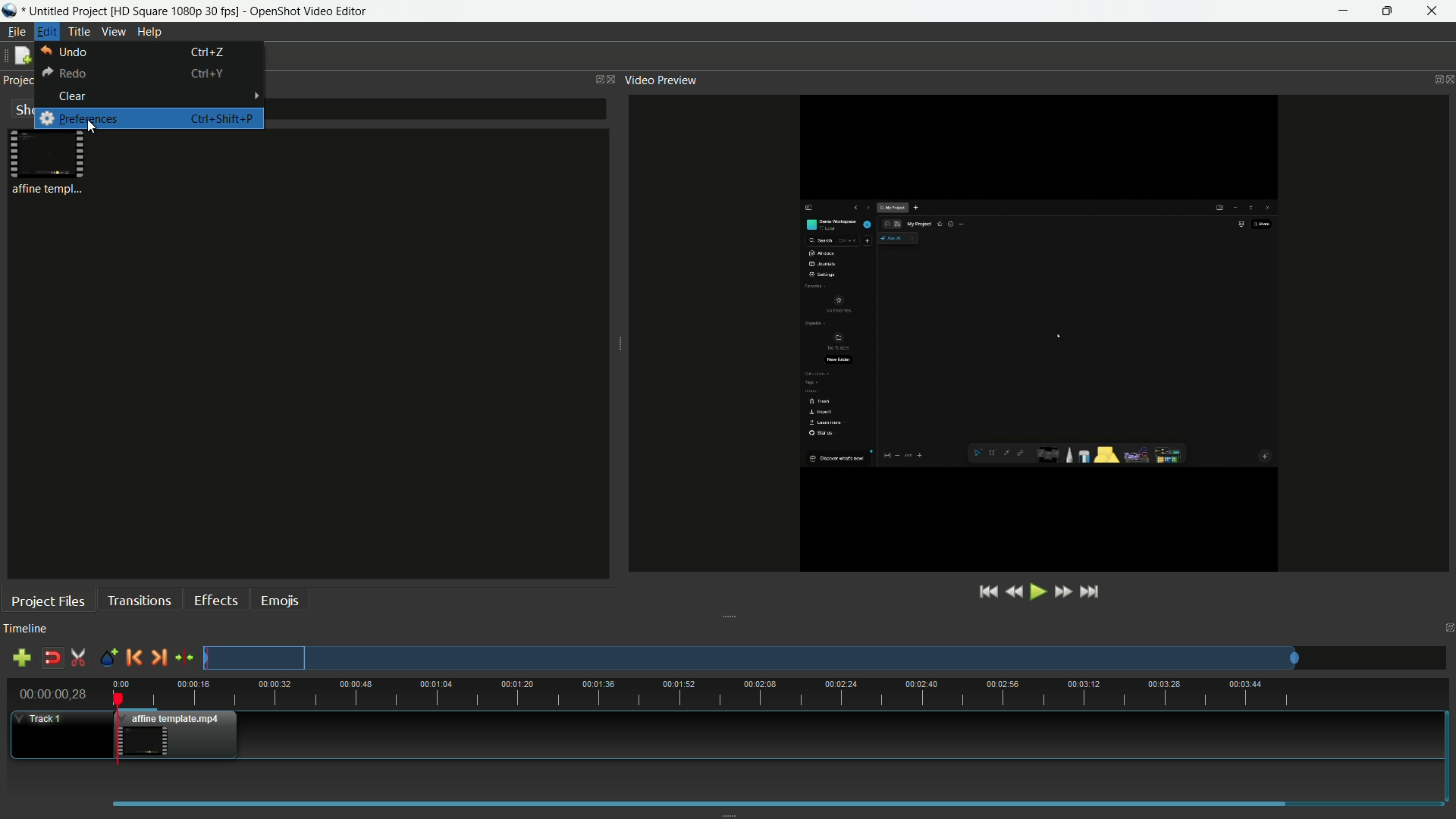 The image size is (1456, 819). Describe the element at coordinates (23, 109) in the screenshot. I see `show all` at that location.